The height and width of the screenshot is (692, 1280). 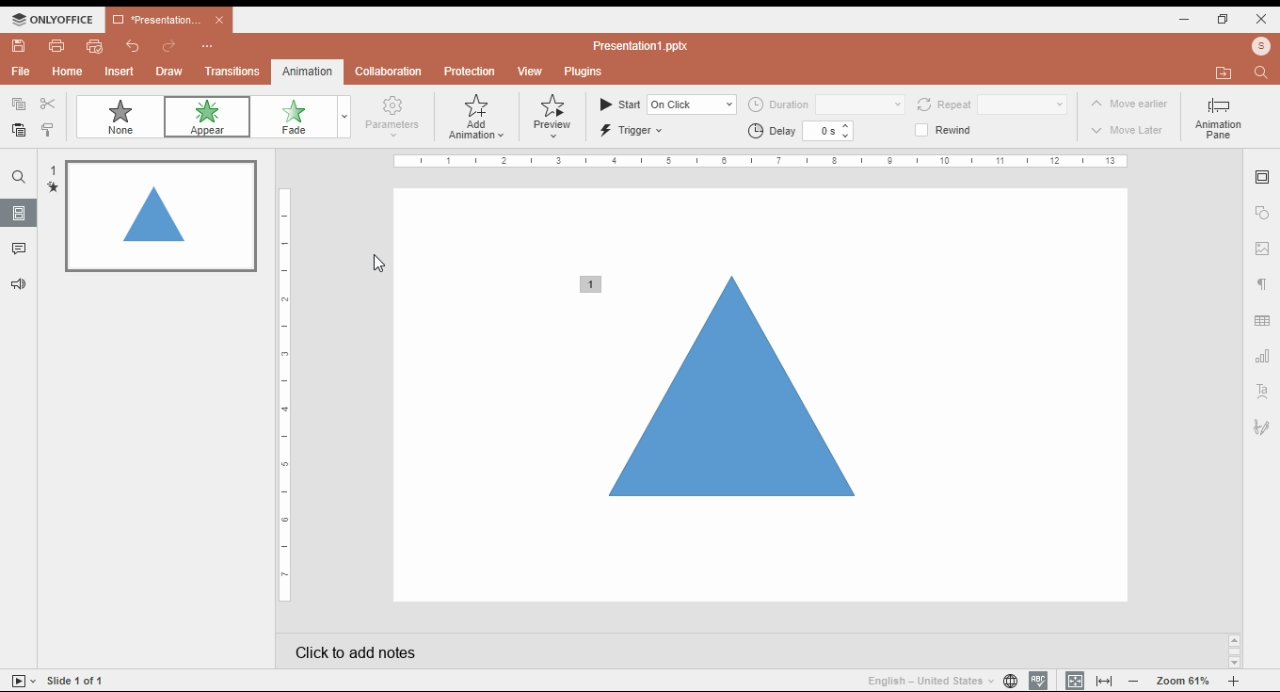 What do you see at coordinates (590, 284) in the screenshot?
I see `animation added` at bounding box center [590, 284].